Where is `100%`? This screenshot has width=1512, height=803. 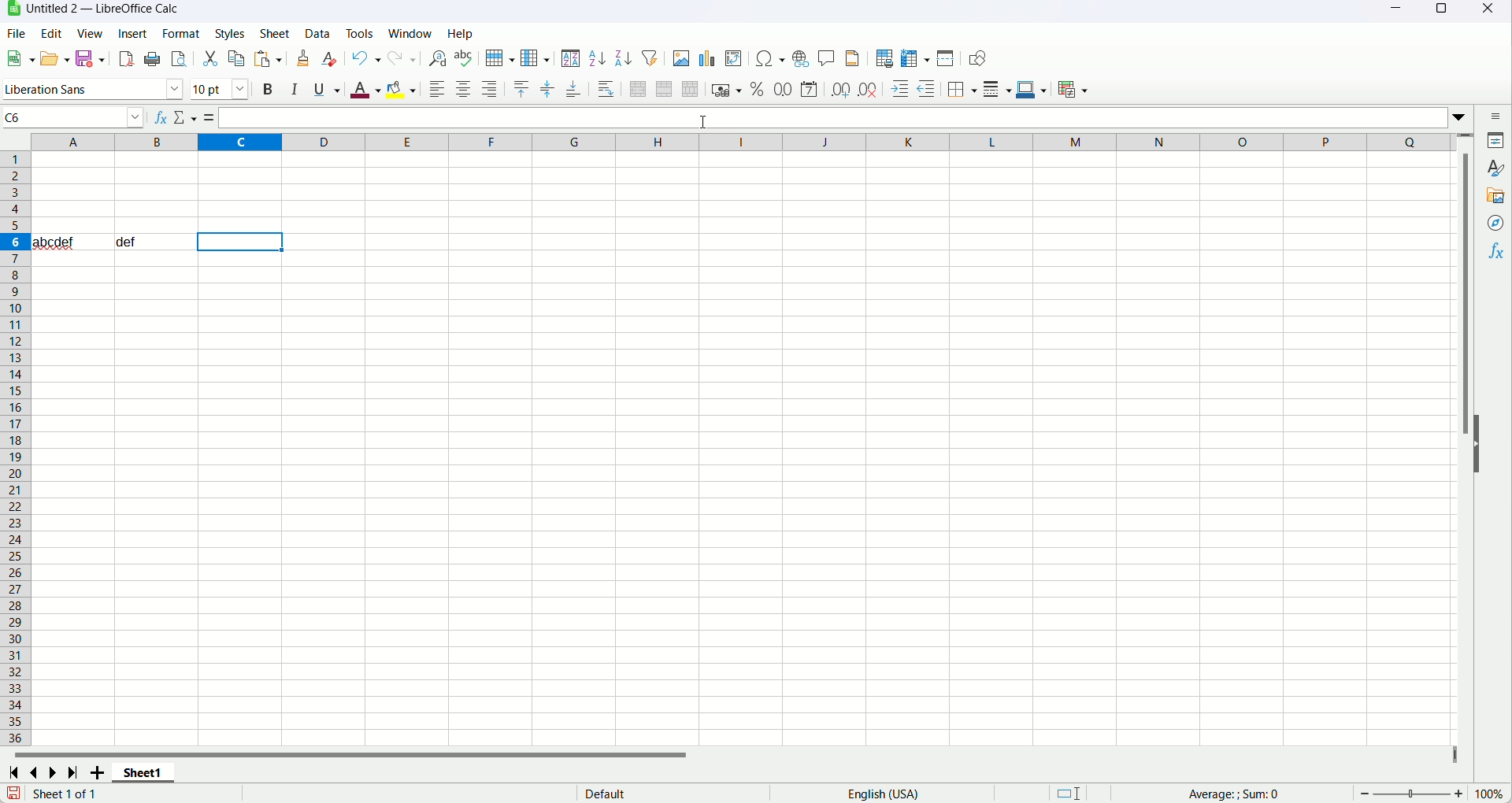
100% is located at coordinates (1488, 794).